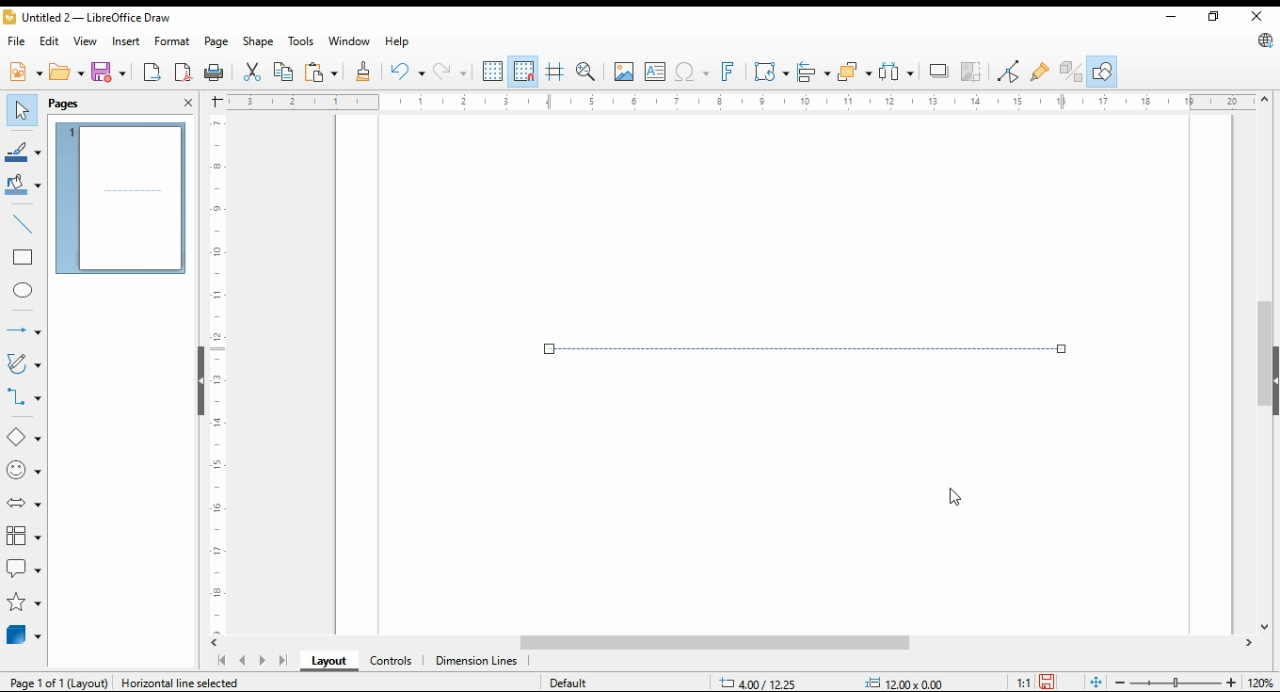 This screenshot has width=1280, height=692. I want to click on print, so click(215, 72).